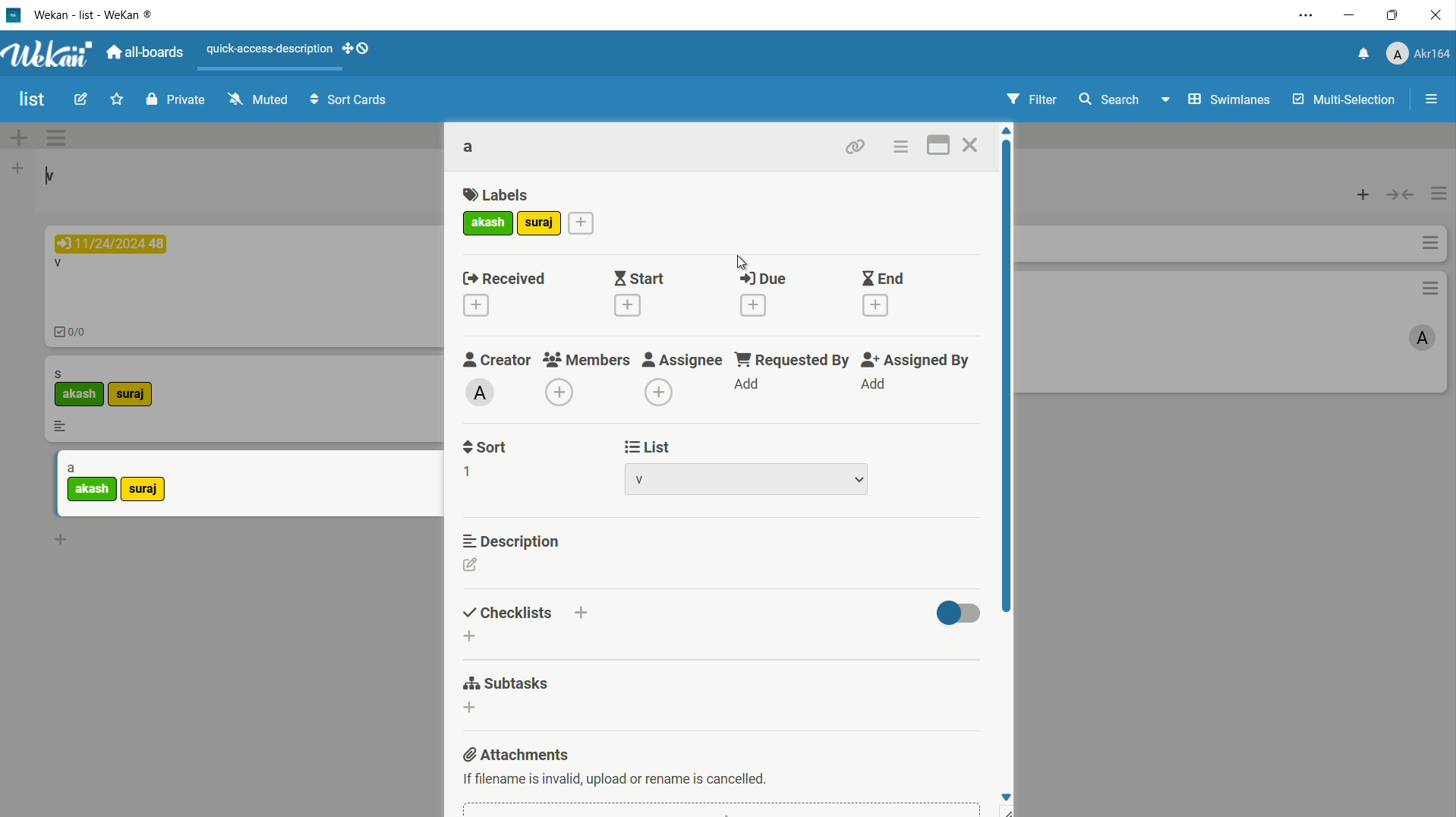 The image size is (1456, 817). I want to click on added, so click(631, 308).